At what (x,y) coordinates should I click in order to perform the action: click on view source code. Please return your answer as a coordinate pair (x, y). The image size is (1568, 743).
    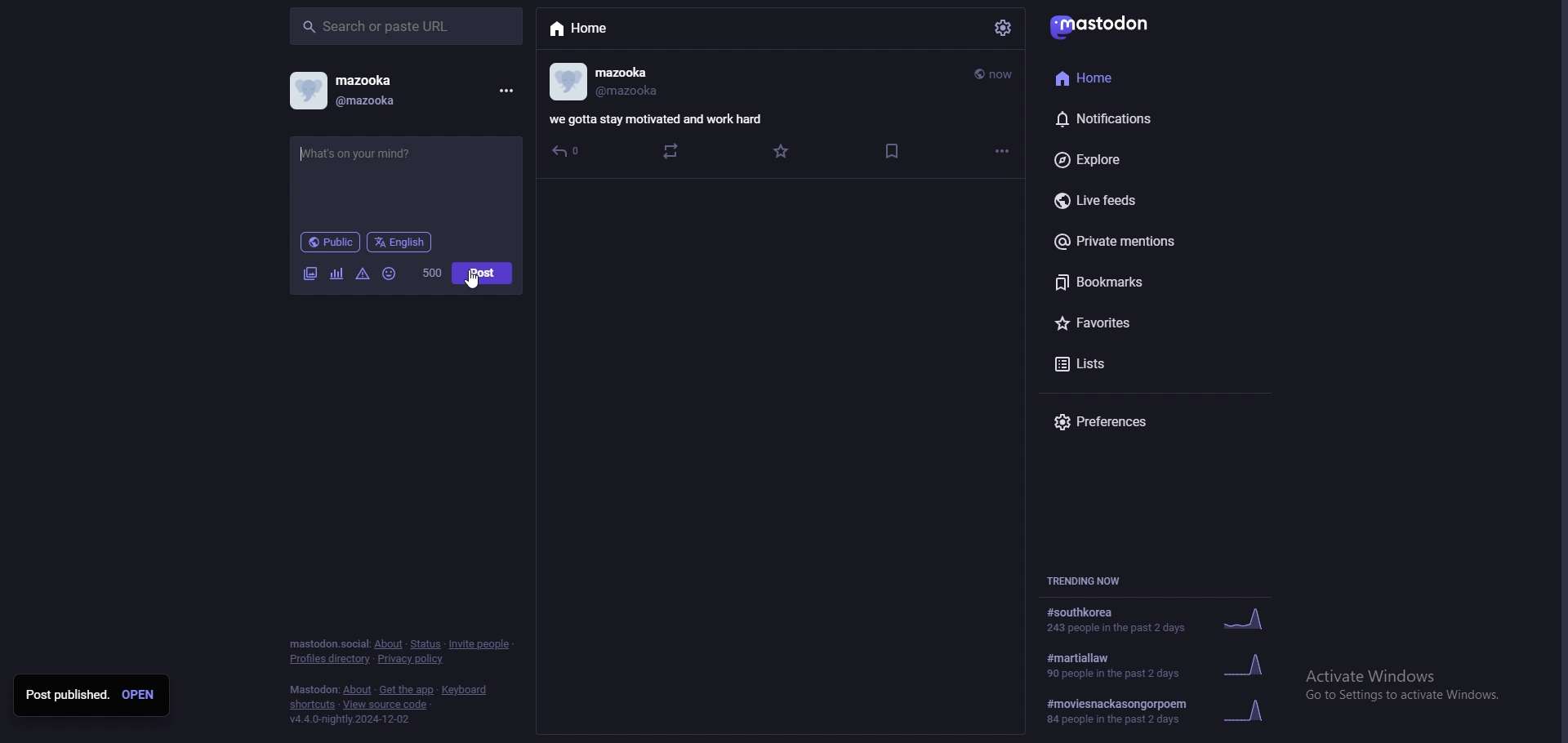
    Looking at the image, I should click on (387, 705).